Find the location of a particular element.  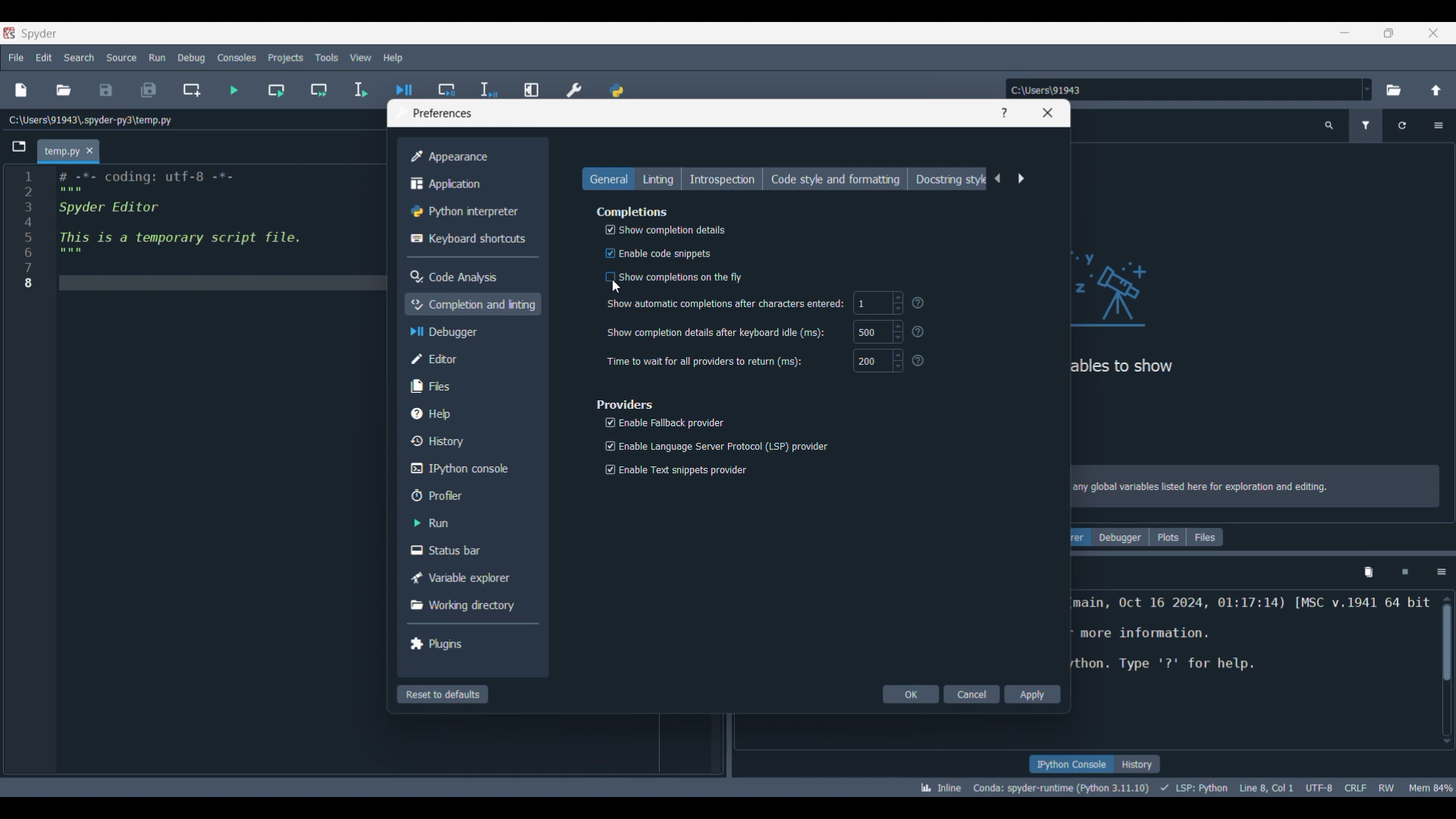

File location is located at coordinates (89, 120).